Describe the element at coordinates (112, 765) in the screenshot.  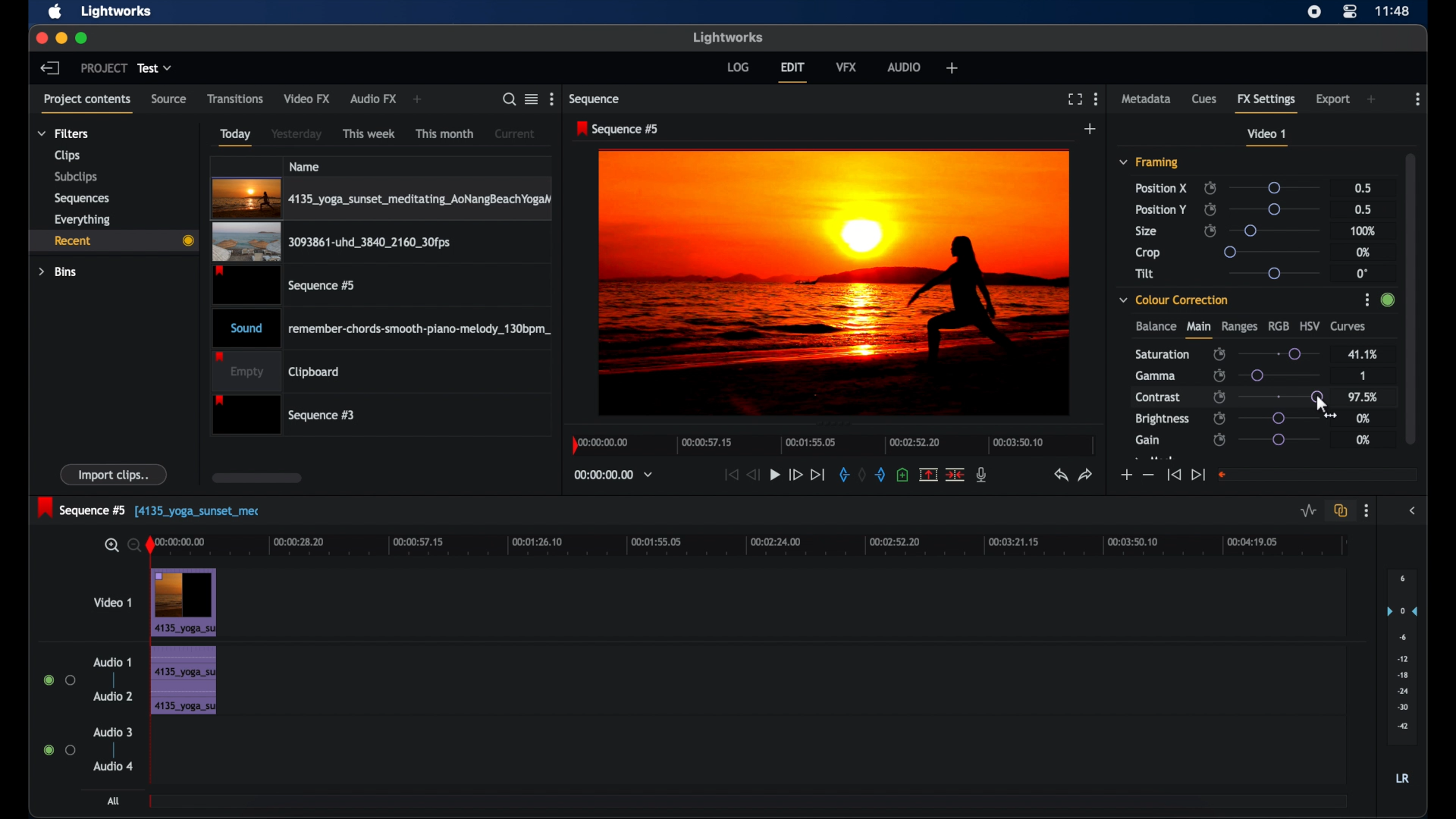
I see `audio 4` at that location.